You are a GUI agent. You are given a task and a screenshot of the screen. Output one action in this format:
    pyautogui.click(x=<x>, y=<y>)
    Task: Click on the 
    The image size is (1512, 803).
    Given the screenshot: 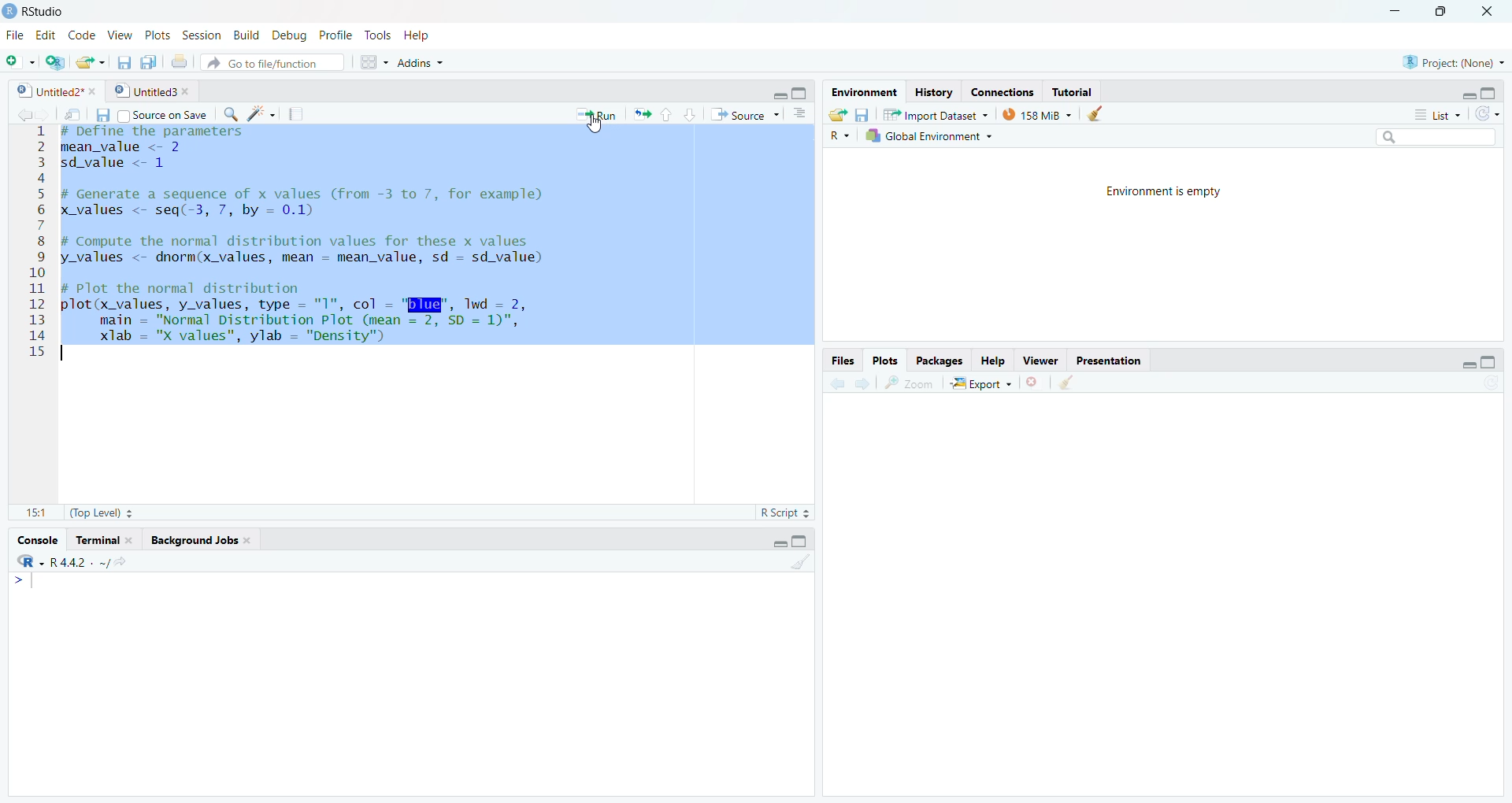 What is the action you would take?
    pyautogui.click(x=100, y=116)
    